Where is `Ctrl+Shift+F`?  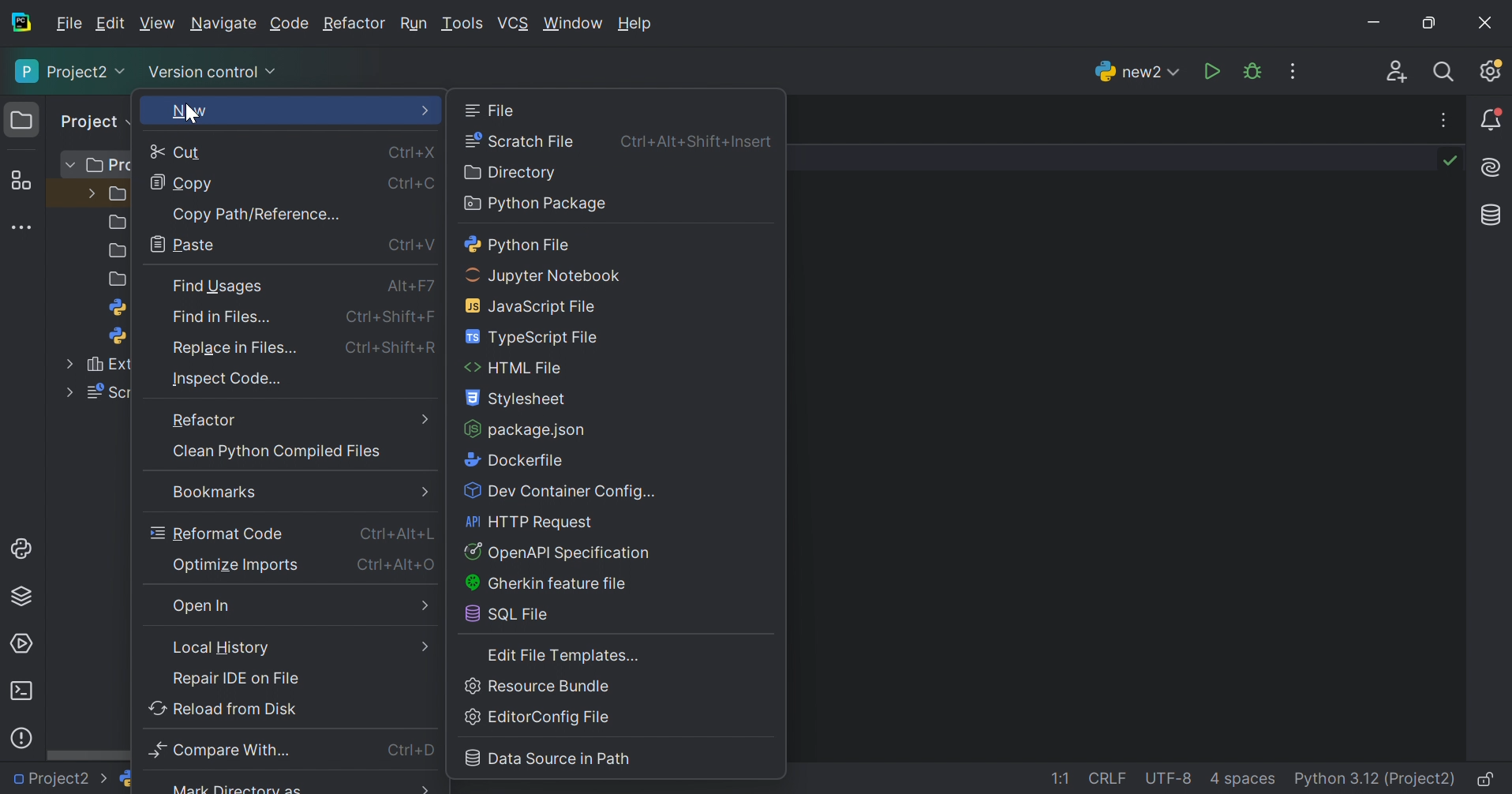 Ctrl+Shift+F is located at coordinates (396, 319).